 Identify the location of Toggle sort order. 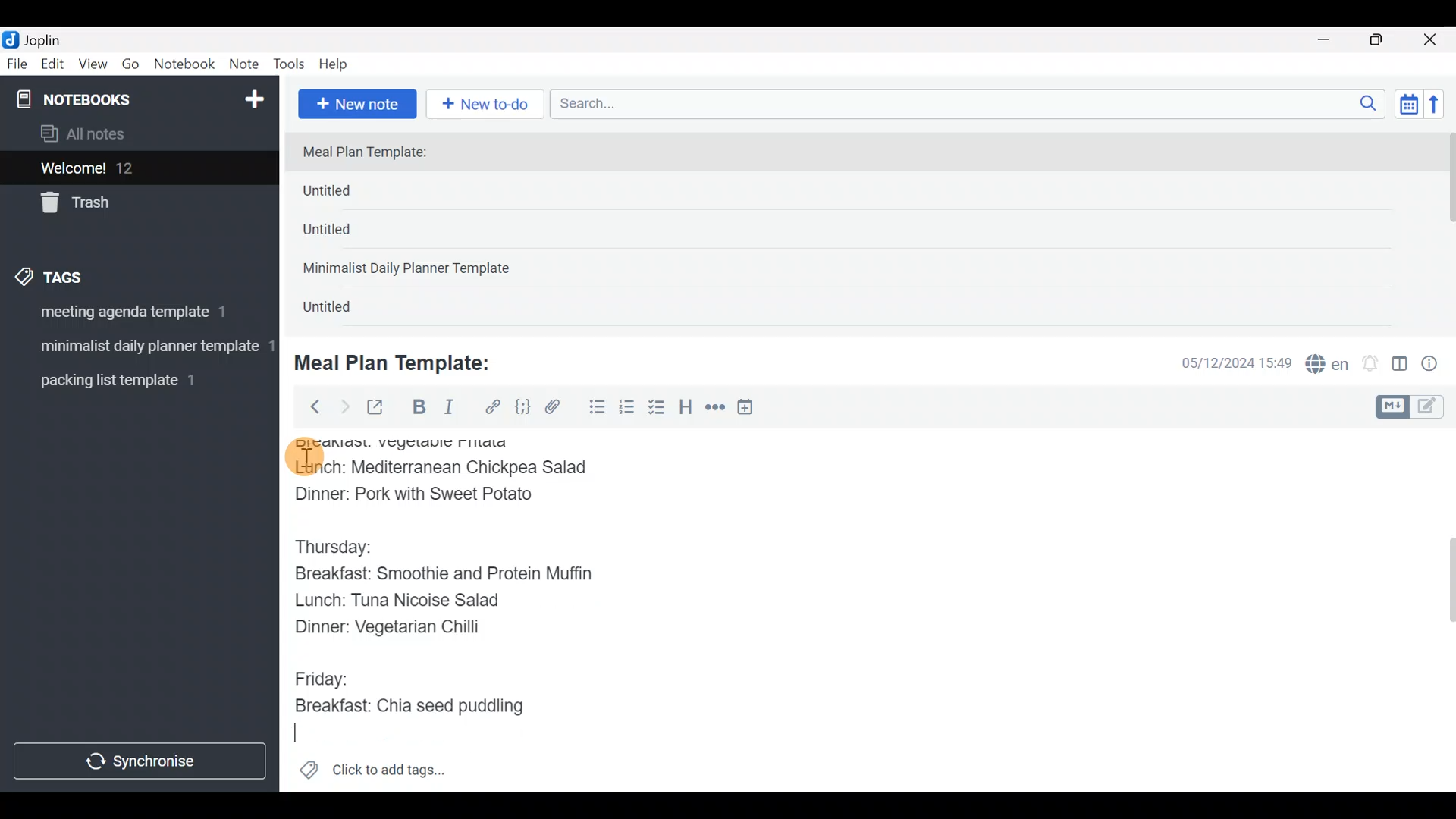
(1408, 105).